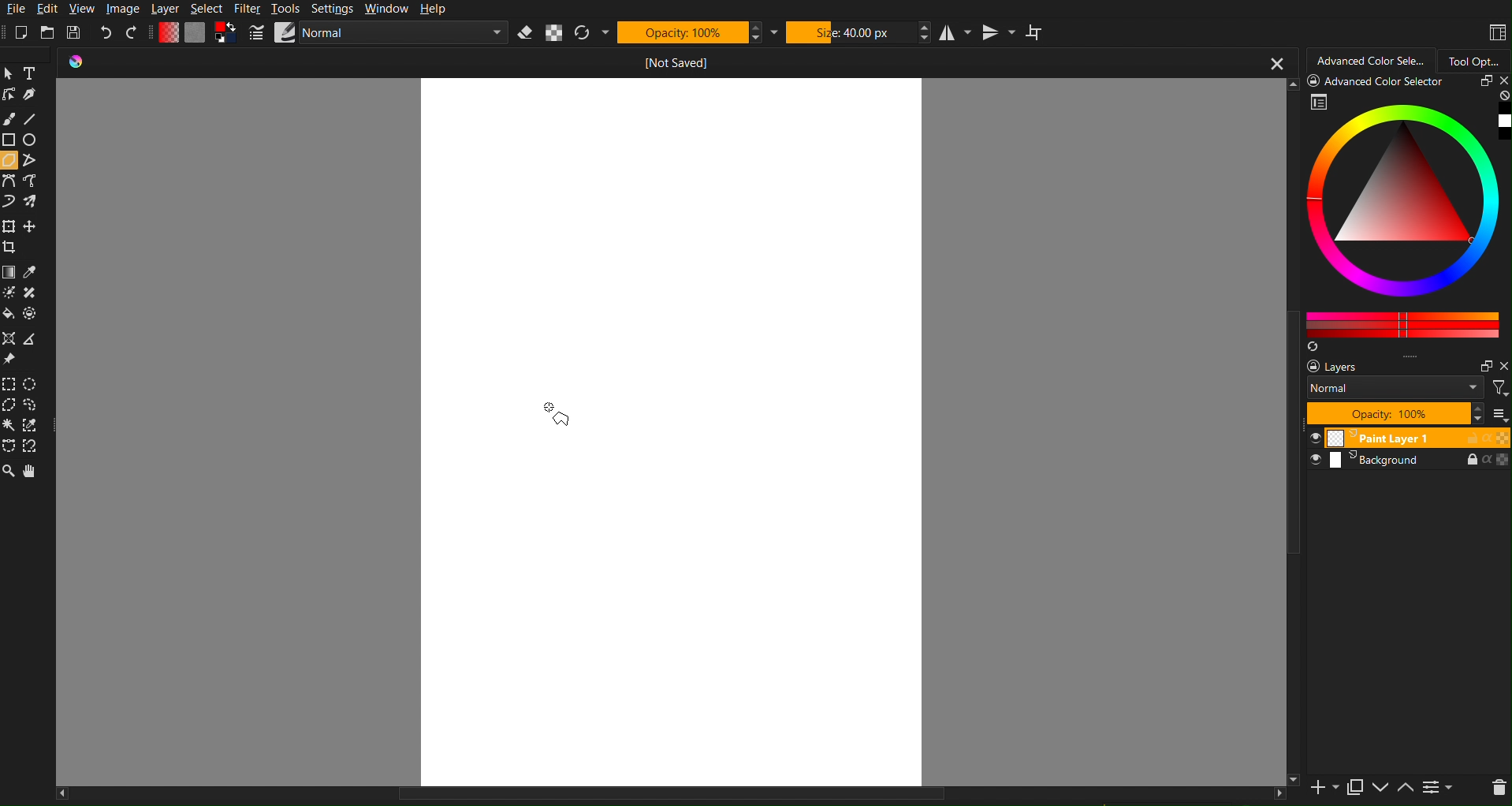 The width and height of the screenshot is (1512, 806). Describe the element at coordinates (9, 472) in the screenshot. I see `Zoom` at that location.